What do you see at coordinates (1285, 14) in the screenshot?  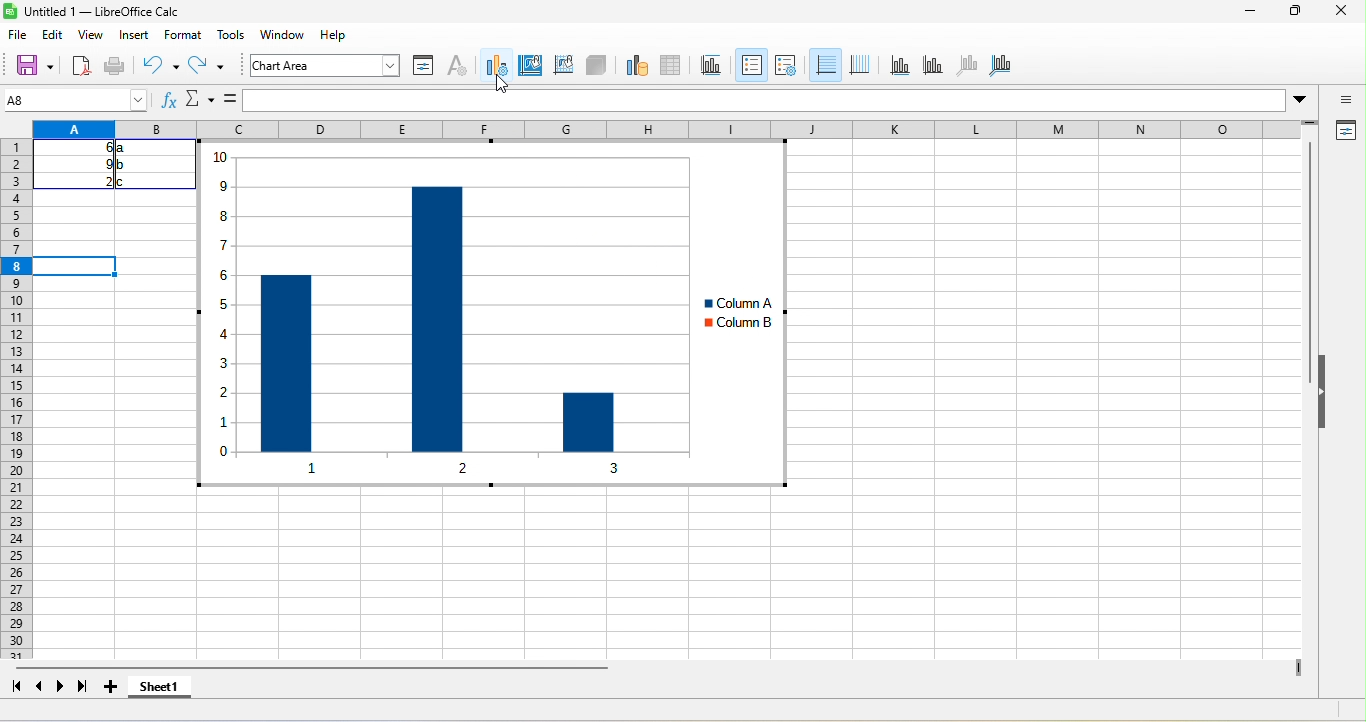 I see `maximize` at bounding box center [1285, 14].